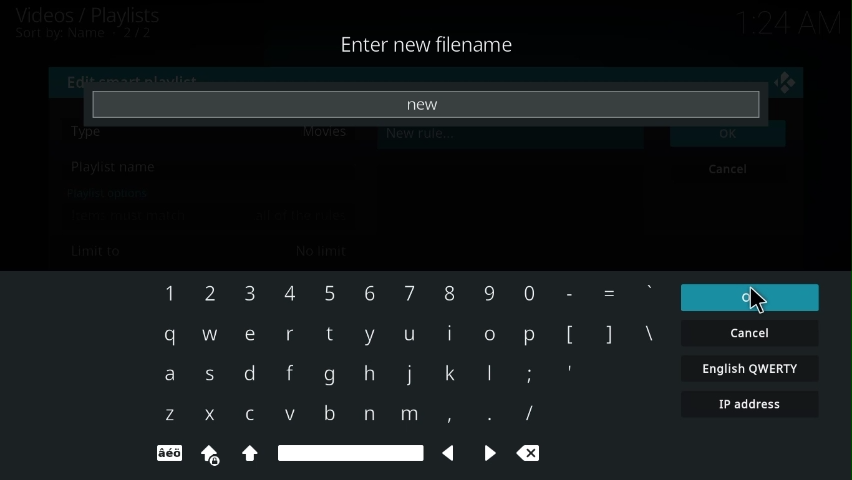 Image resolution: width=852 pixels, height=480 pixels. Describe the element at coordinates (367, 293) in the screenshot. I see `6` at that location.